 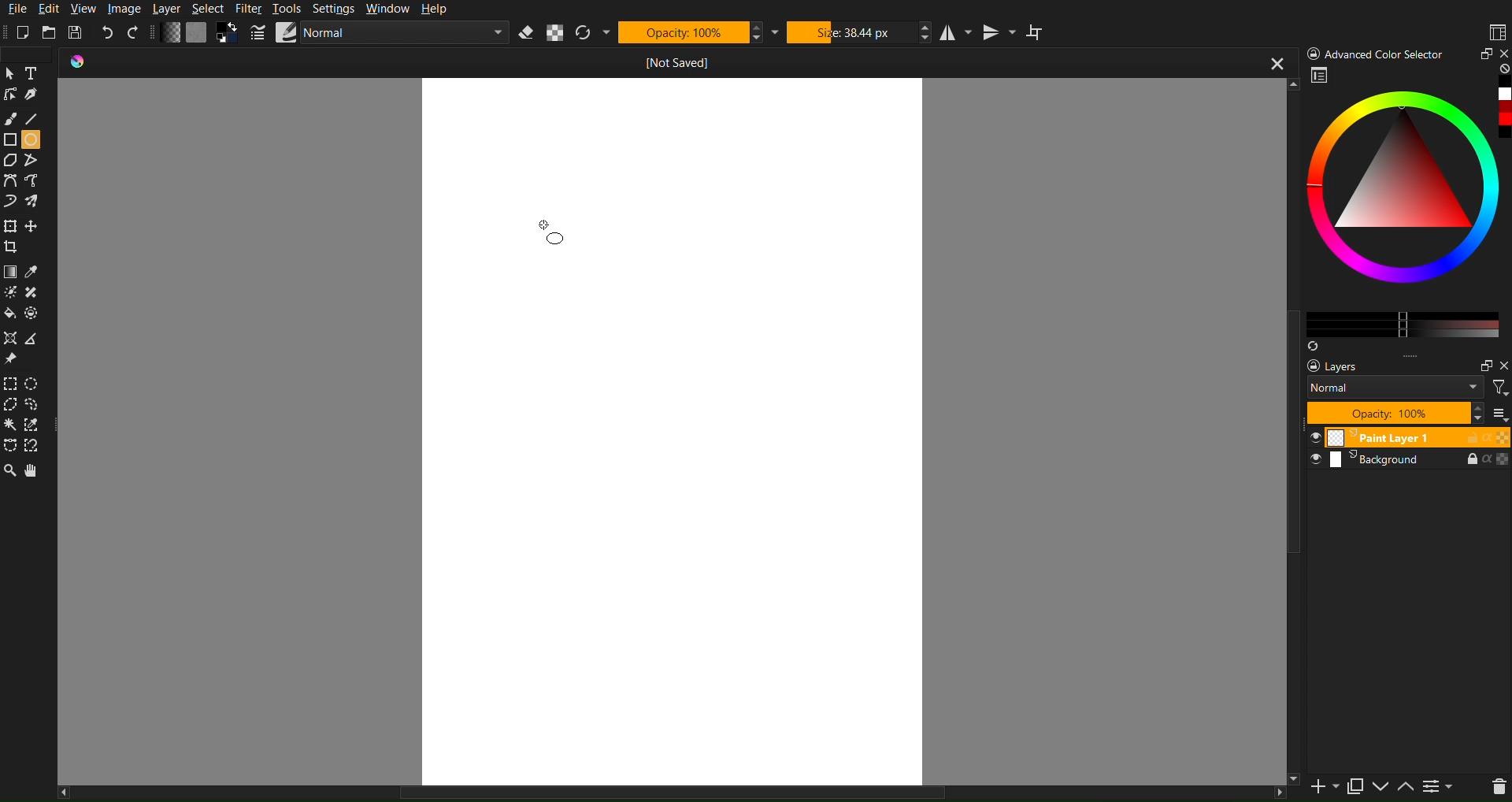 What do you see at coordinates (32, 405) in the screenshot?
I see `Selection free` at bounding box center [32, 405].